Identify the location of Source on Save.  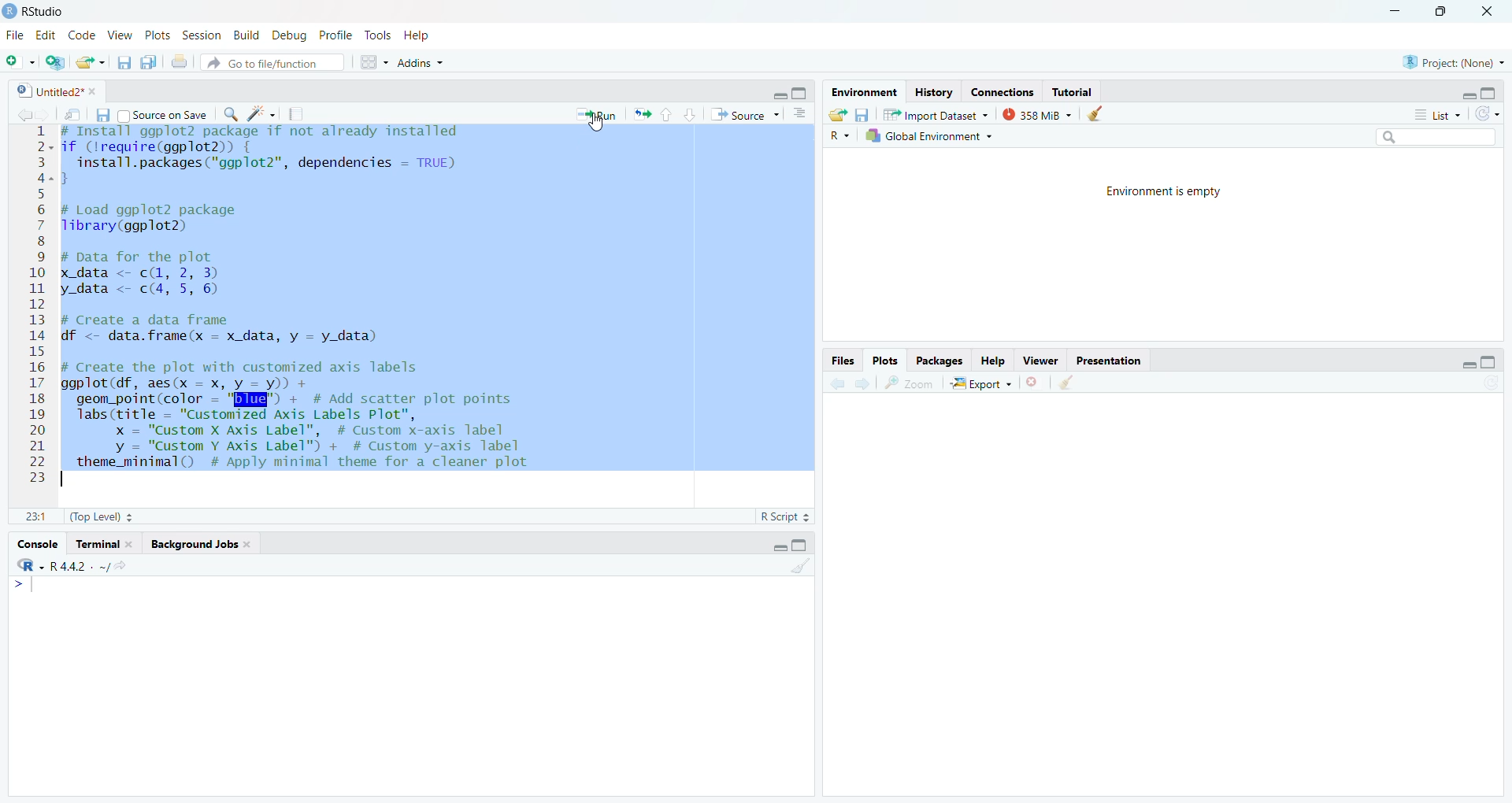
(169, 115).